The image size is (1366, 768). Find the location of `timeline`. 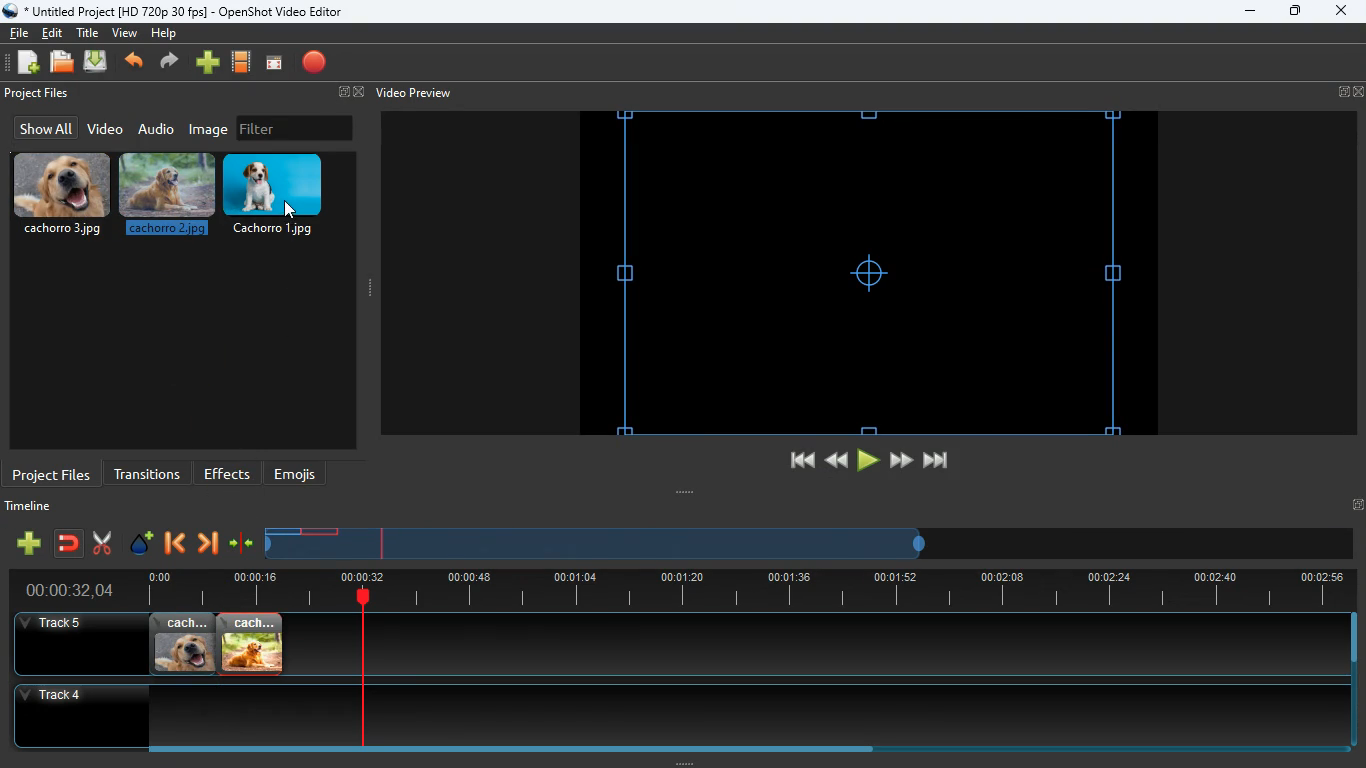

timeline is located at coordinates (740, 590).